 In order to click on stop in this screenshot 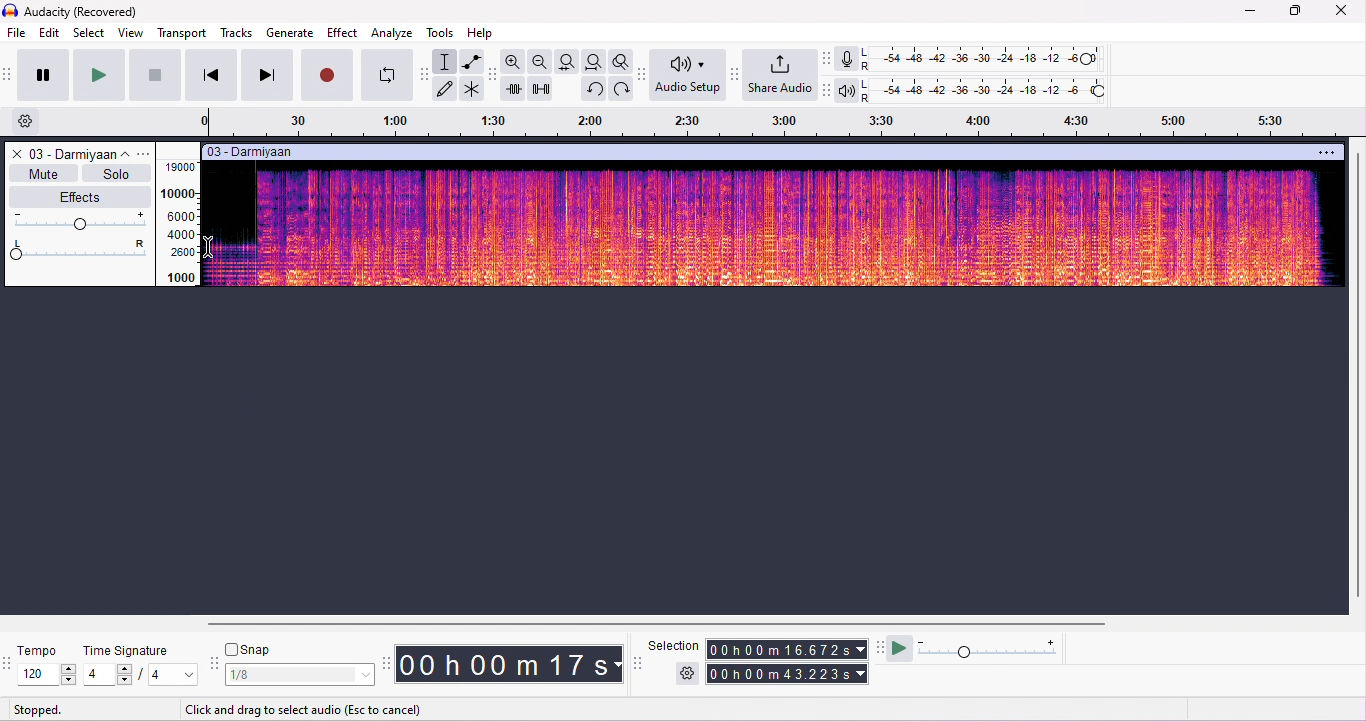, I will do `click(155, 74)`.